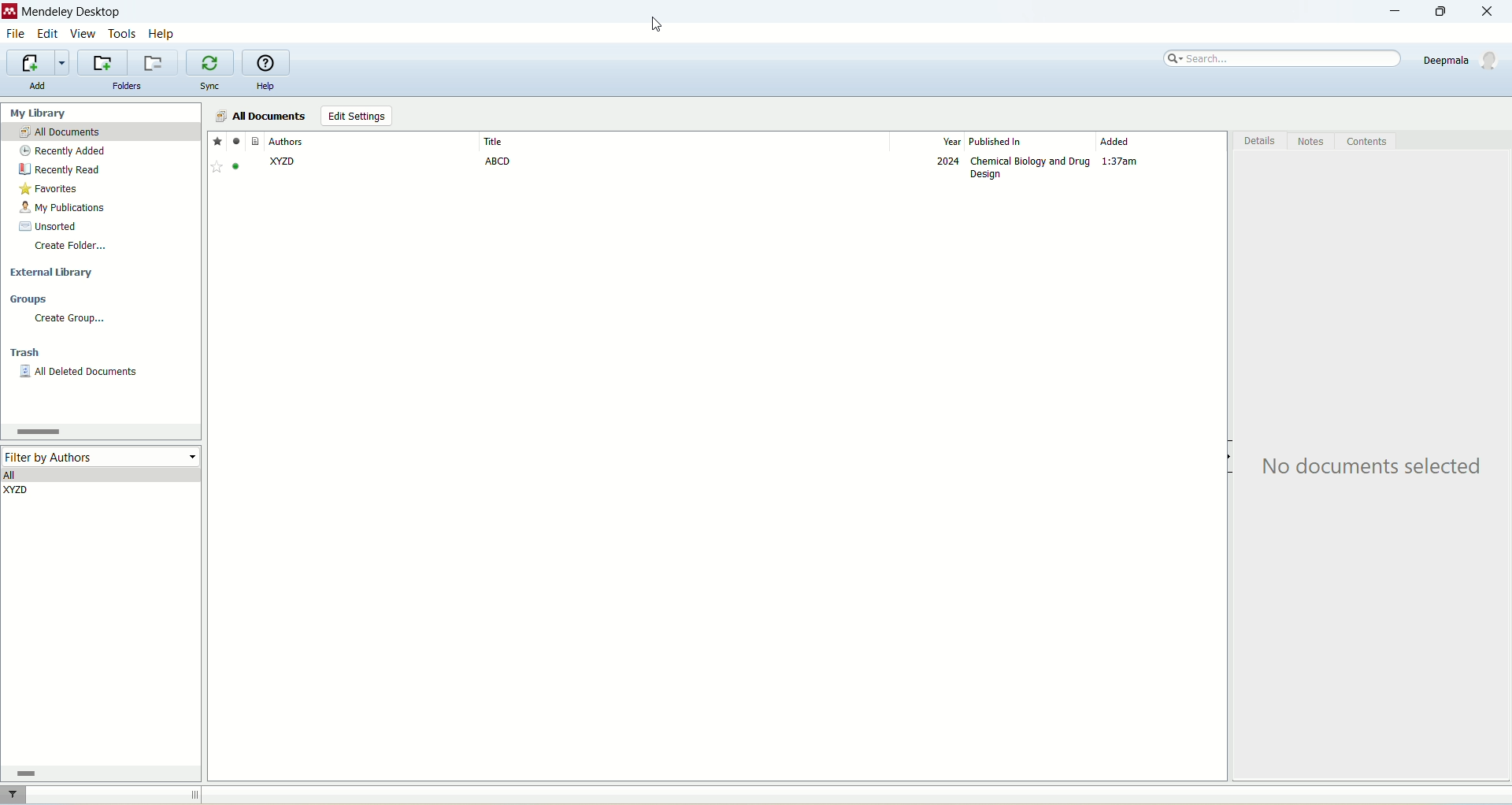  I want to click on text, so click(1376, 467).